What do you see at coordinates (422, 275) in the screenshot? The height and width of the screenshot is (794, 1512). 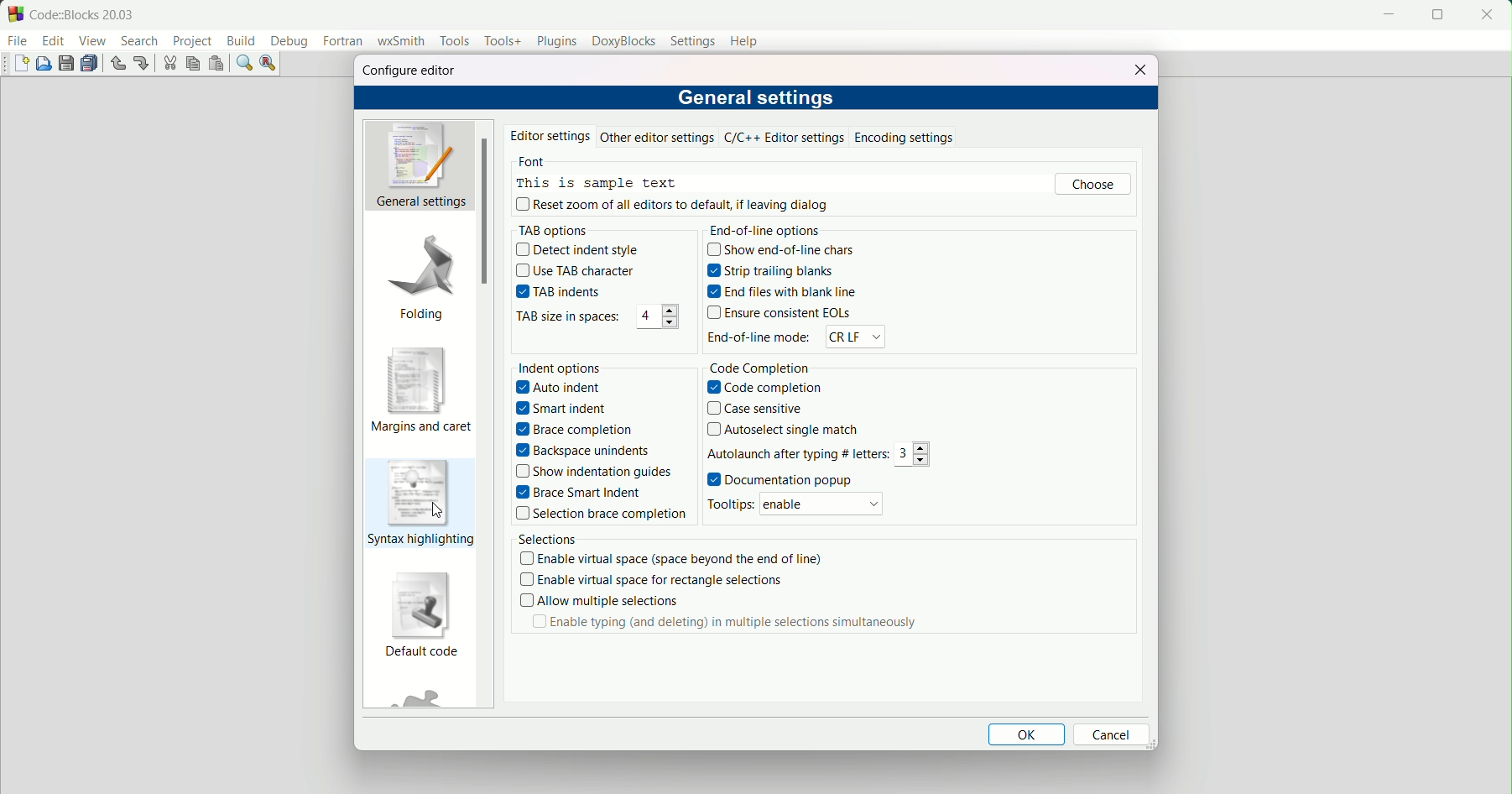 I see `folding` at bounding box center [422, 275].